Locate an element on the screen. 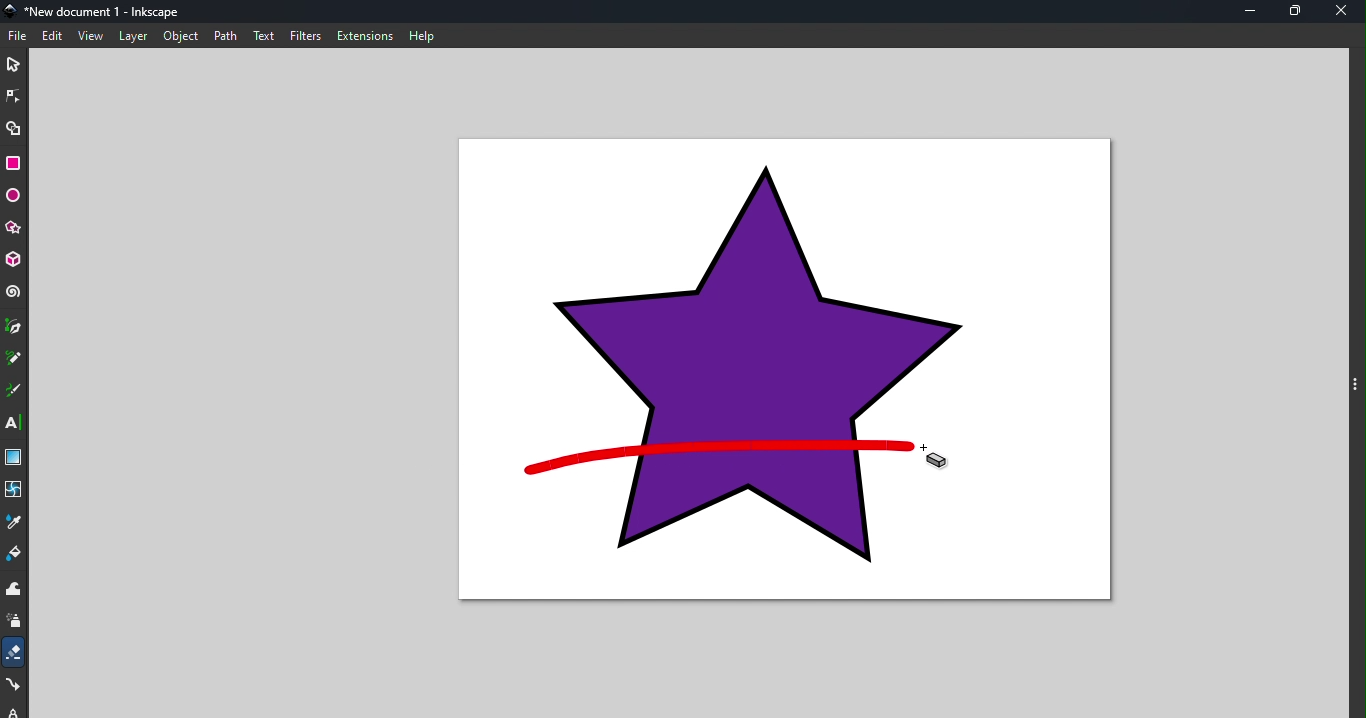 This screenshot has height=718, width=1366. view is located at coordinates (91, 37).